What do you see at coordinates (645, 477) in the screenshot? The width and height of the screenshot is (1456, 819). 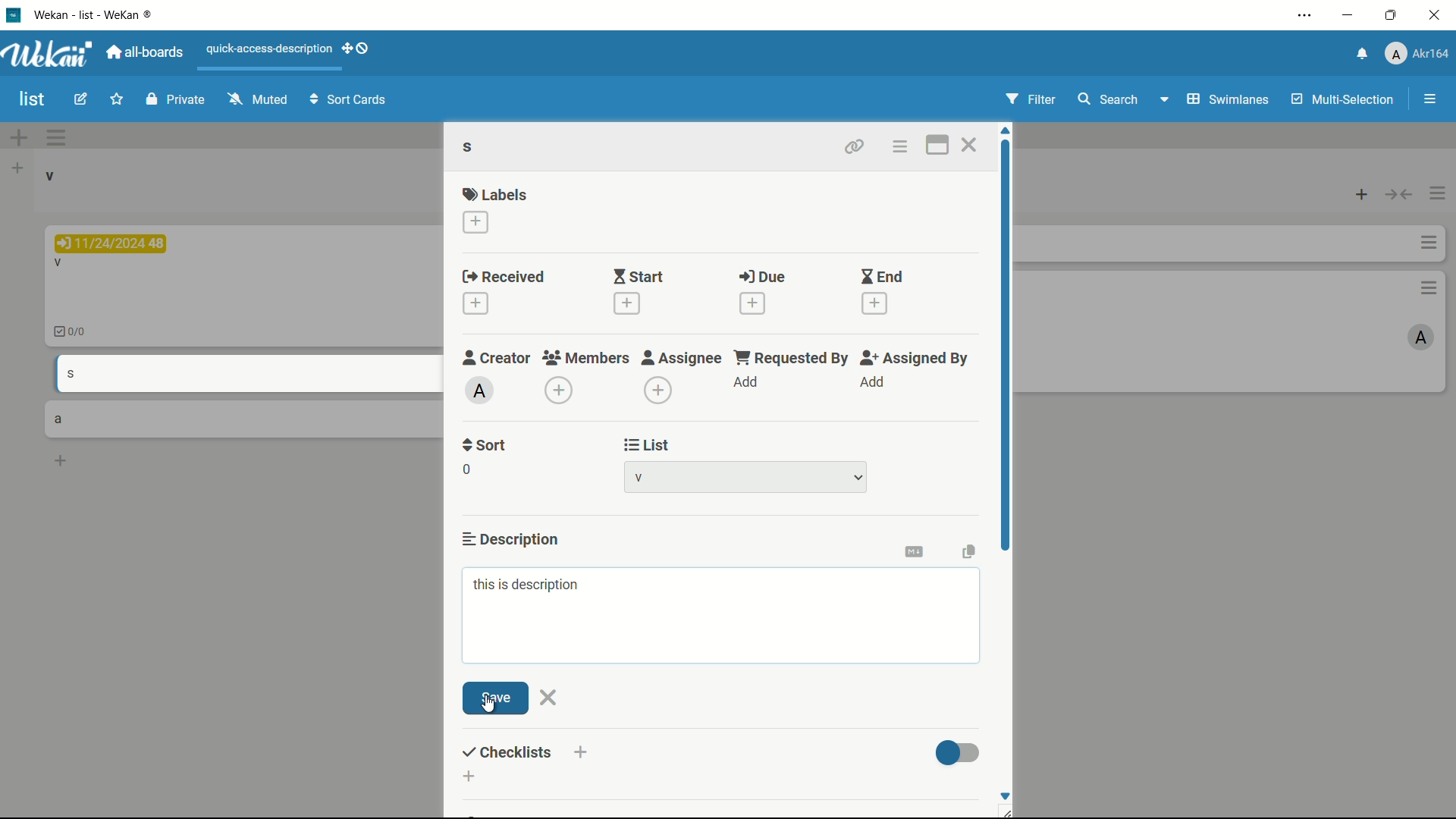 I see `list-1` at bounding box center [645, 477].